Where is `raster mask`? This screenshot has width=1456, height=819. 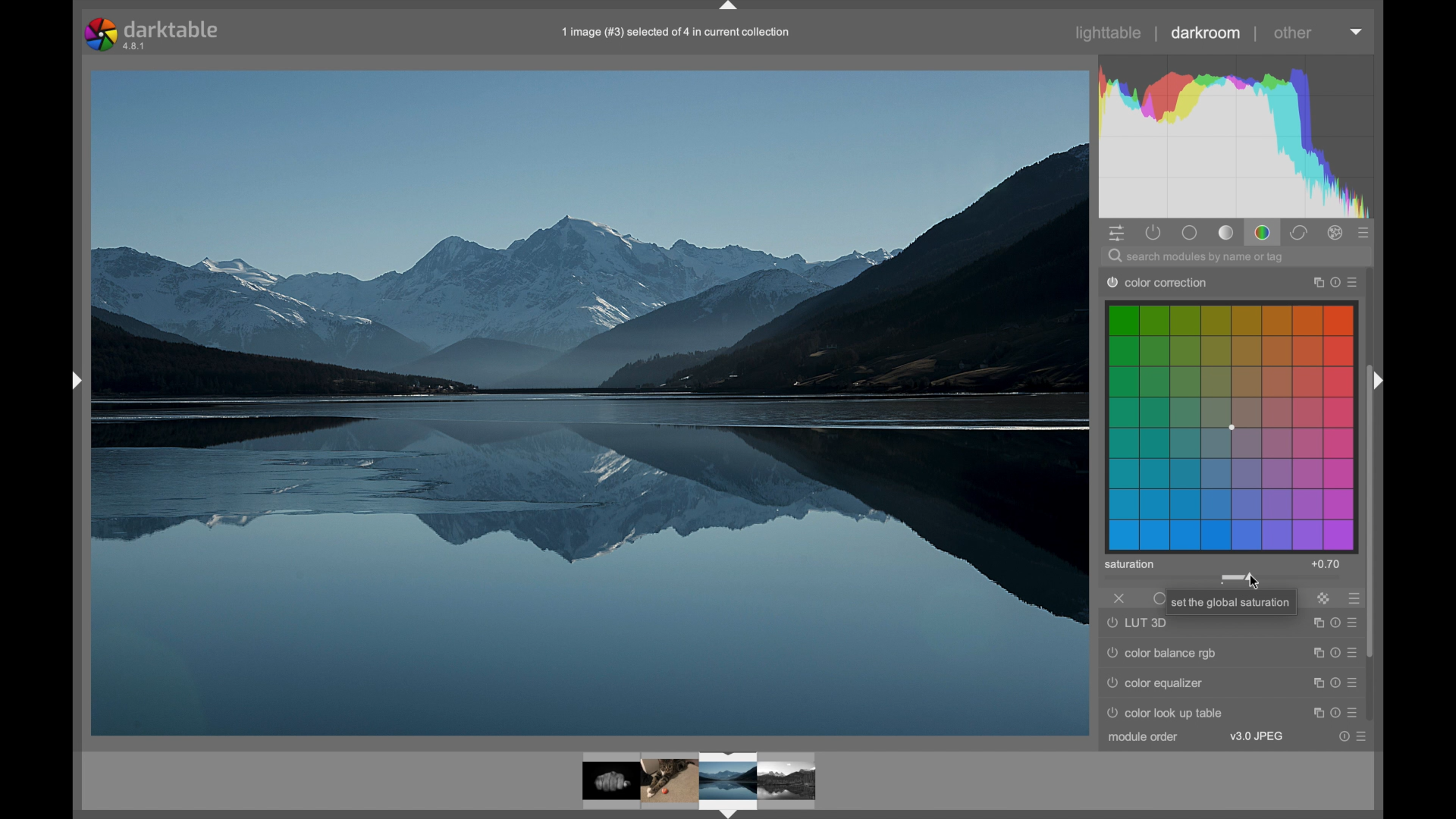 raster mask is located at coordinates (1324, 598).